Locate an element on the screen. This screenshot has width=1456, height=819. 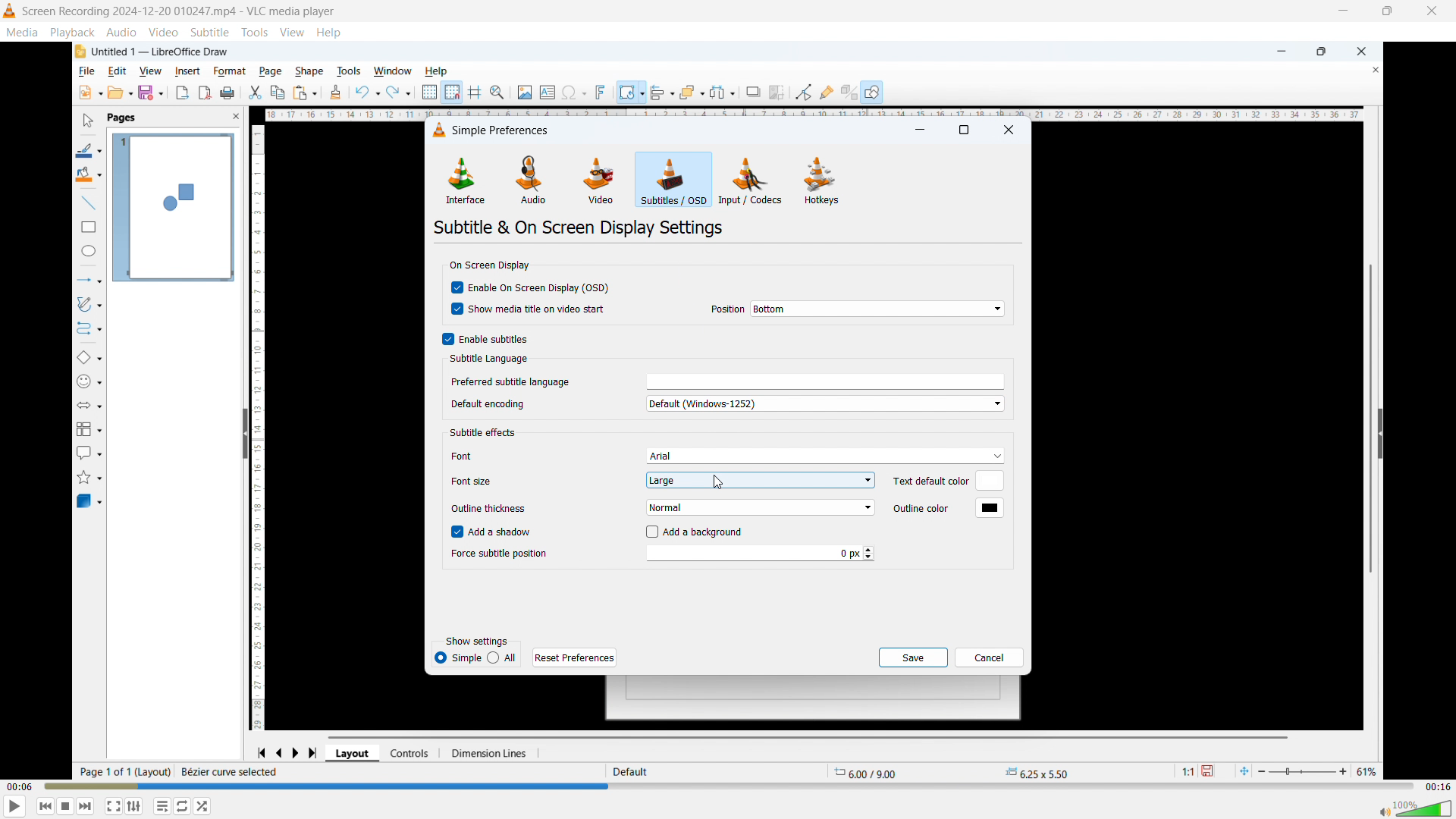
Logo  is located at coordinates (10, 11).